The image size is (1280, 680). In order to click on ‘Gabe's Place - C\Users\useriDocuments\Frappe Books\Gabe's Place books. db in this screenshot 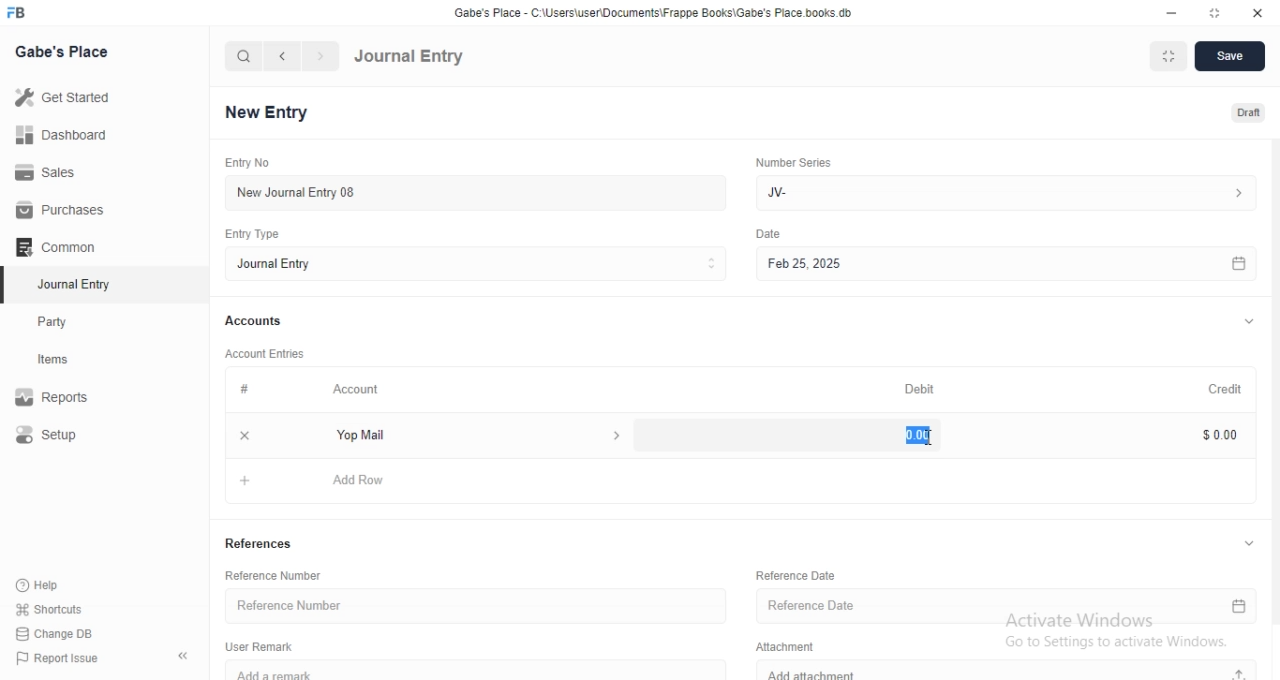, I will do `click(650, 10)`.